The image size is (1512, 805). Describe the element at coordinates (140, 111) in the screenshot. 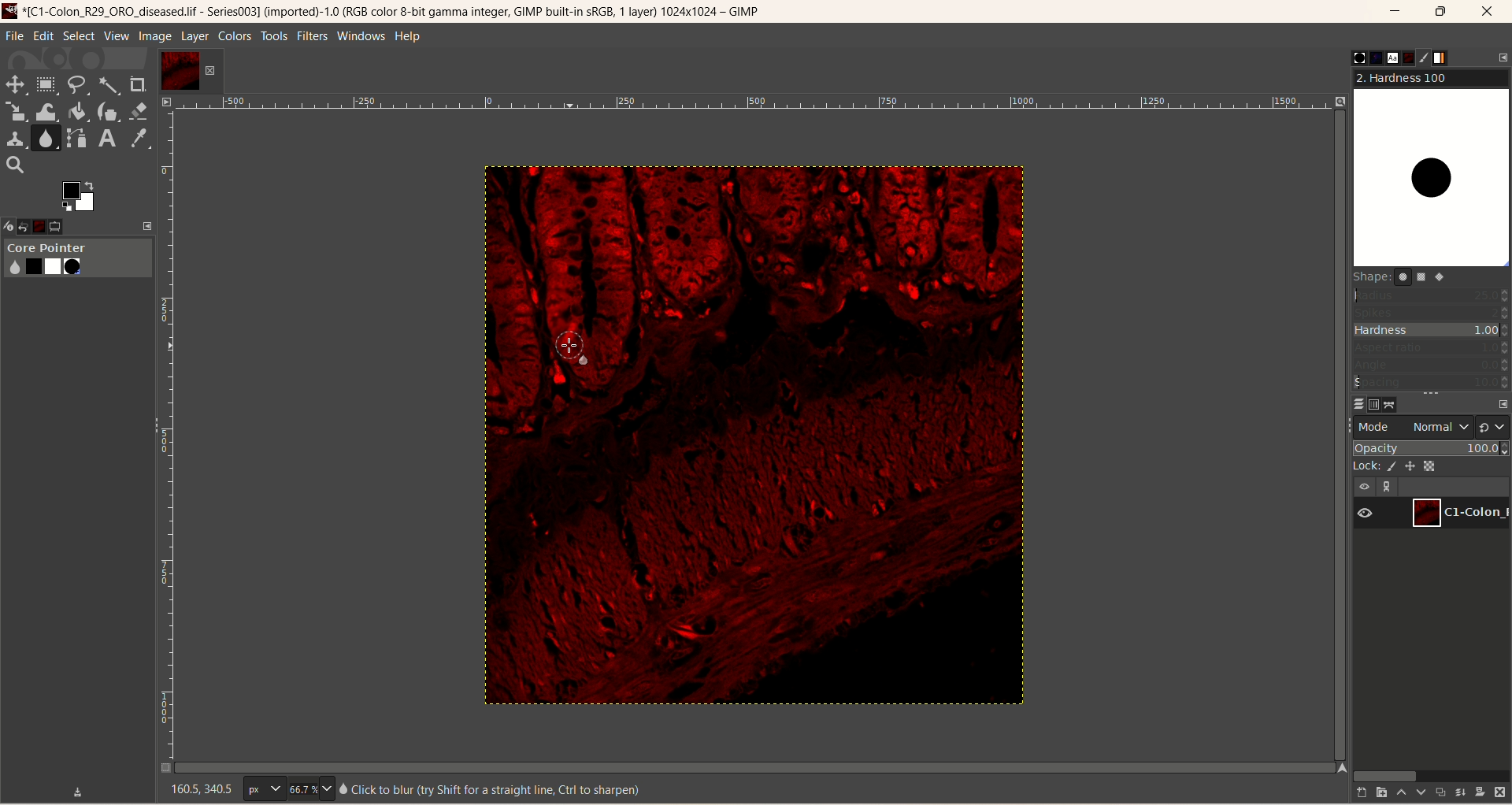

I see `eraser` at that location.